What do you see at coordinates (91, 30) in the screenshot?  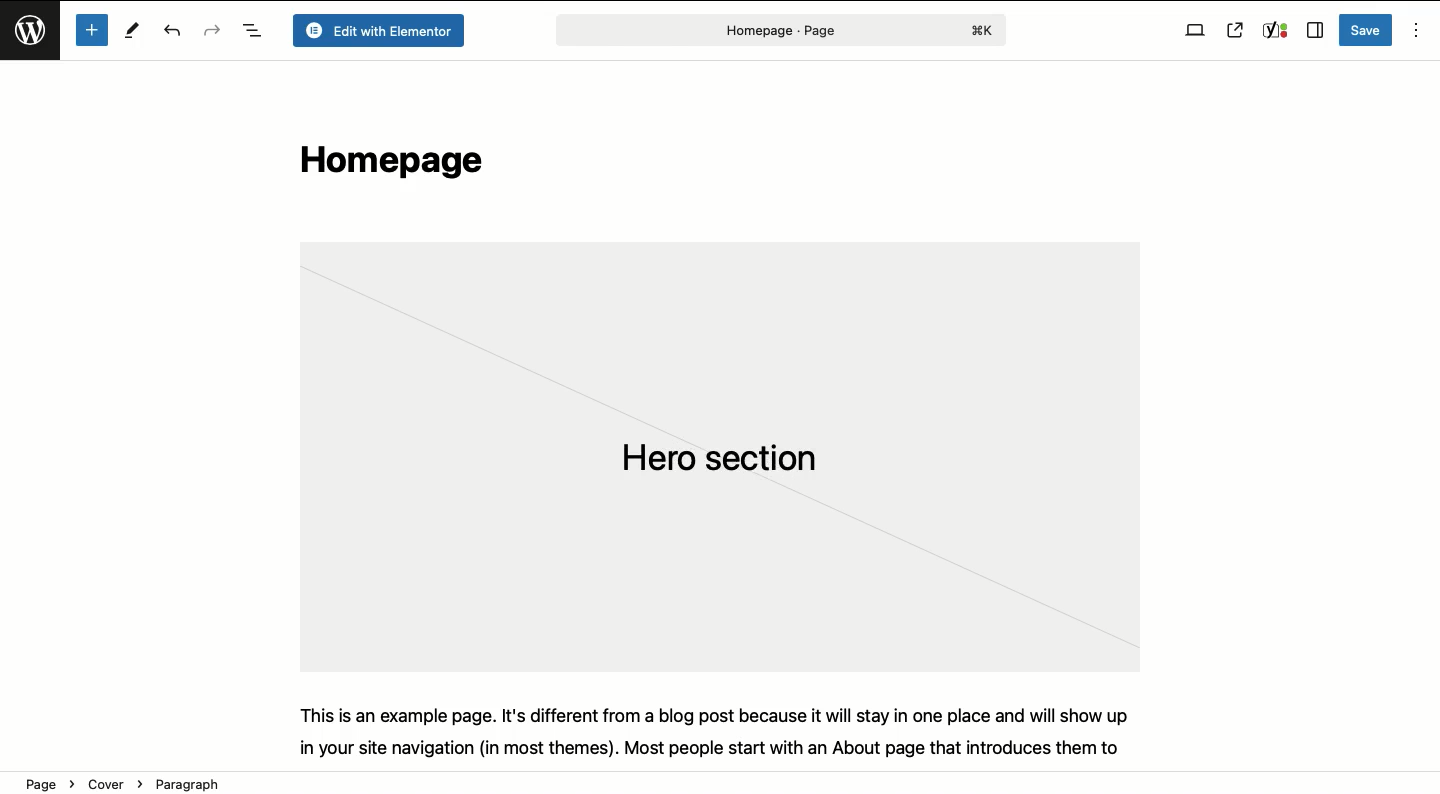 I see `Add new block` at bounding box center [91, 30].